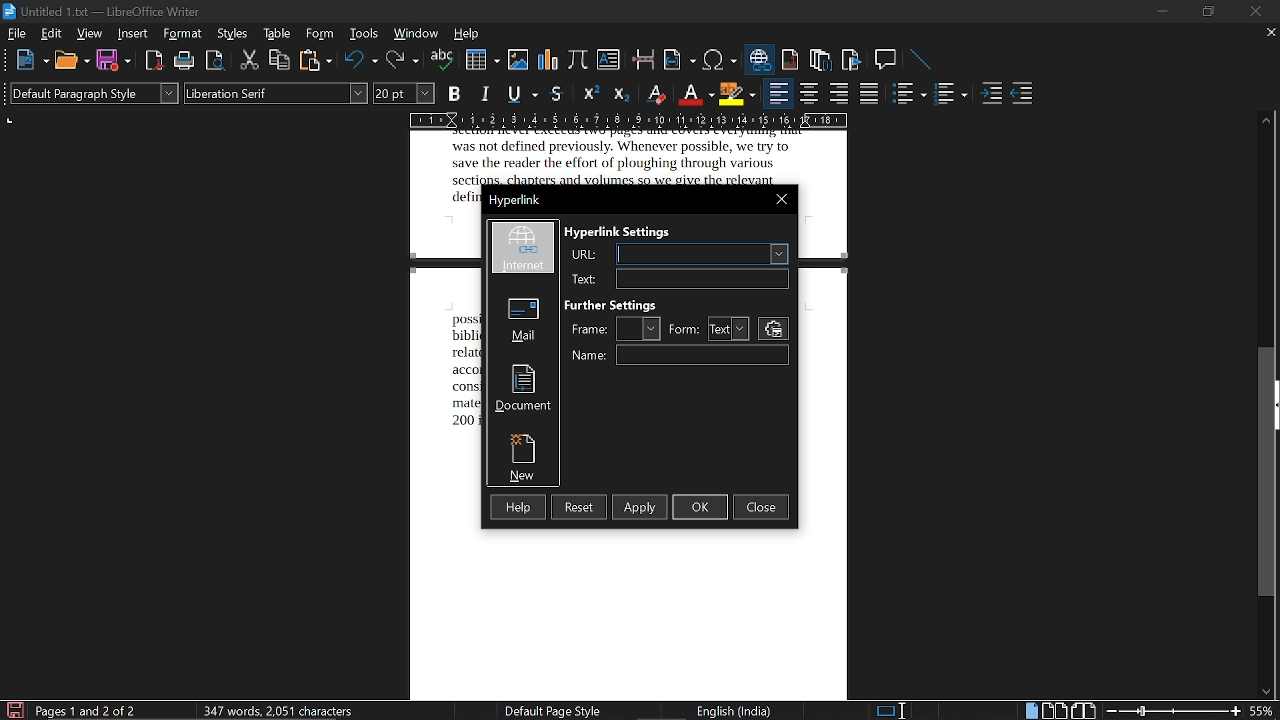 Image resolution: width=1280 pixels, height=720 pixels. I want to click on format, so click(183, 34).